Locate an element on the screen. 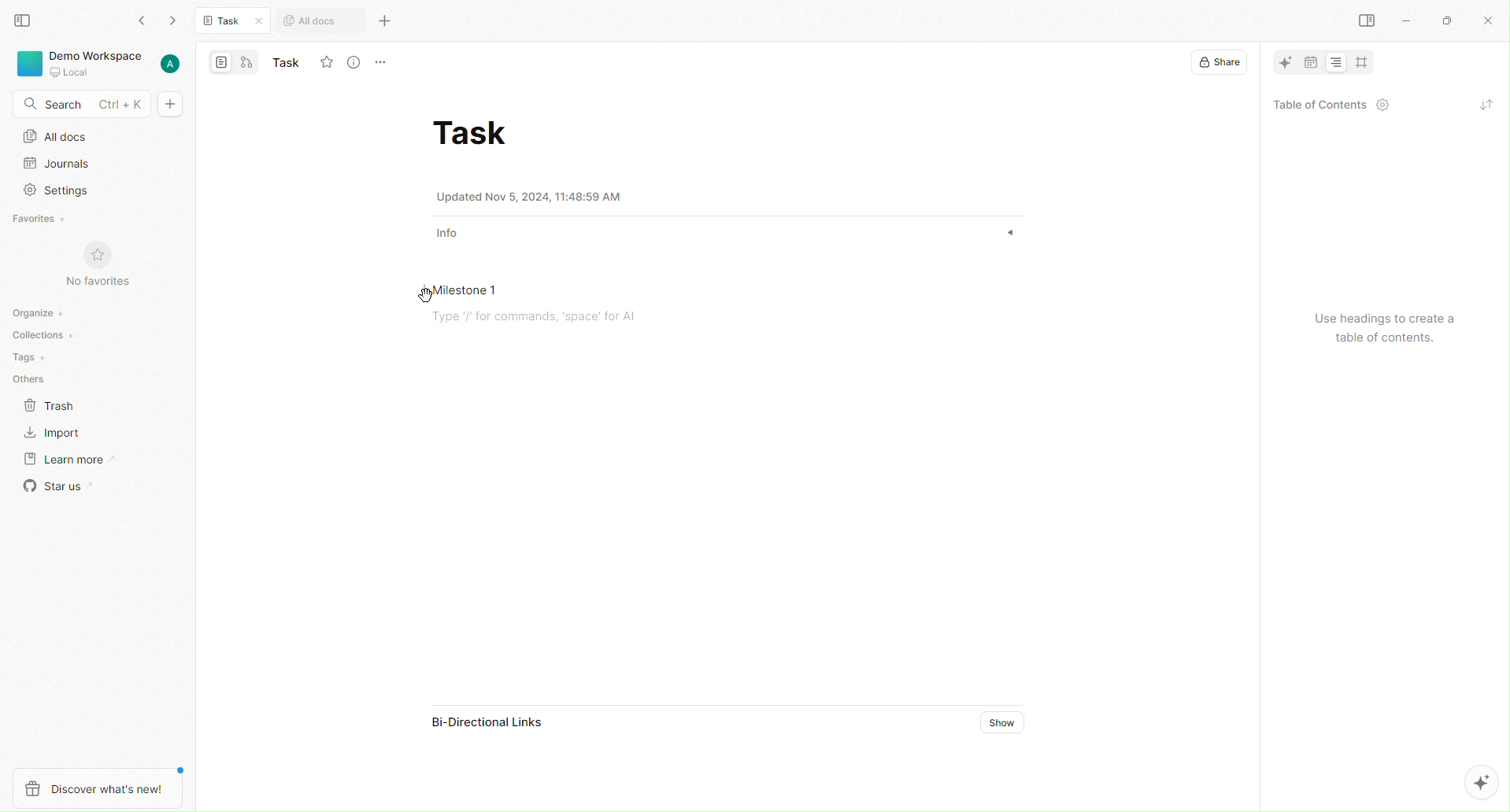 The image size is (1510, 812). Others is located at coordinates (32, 381).